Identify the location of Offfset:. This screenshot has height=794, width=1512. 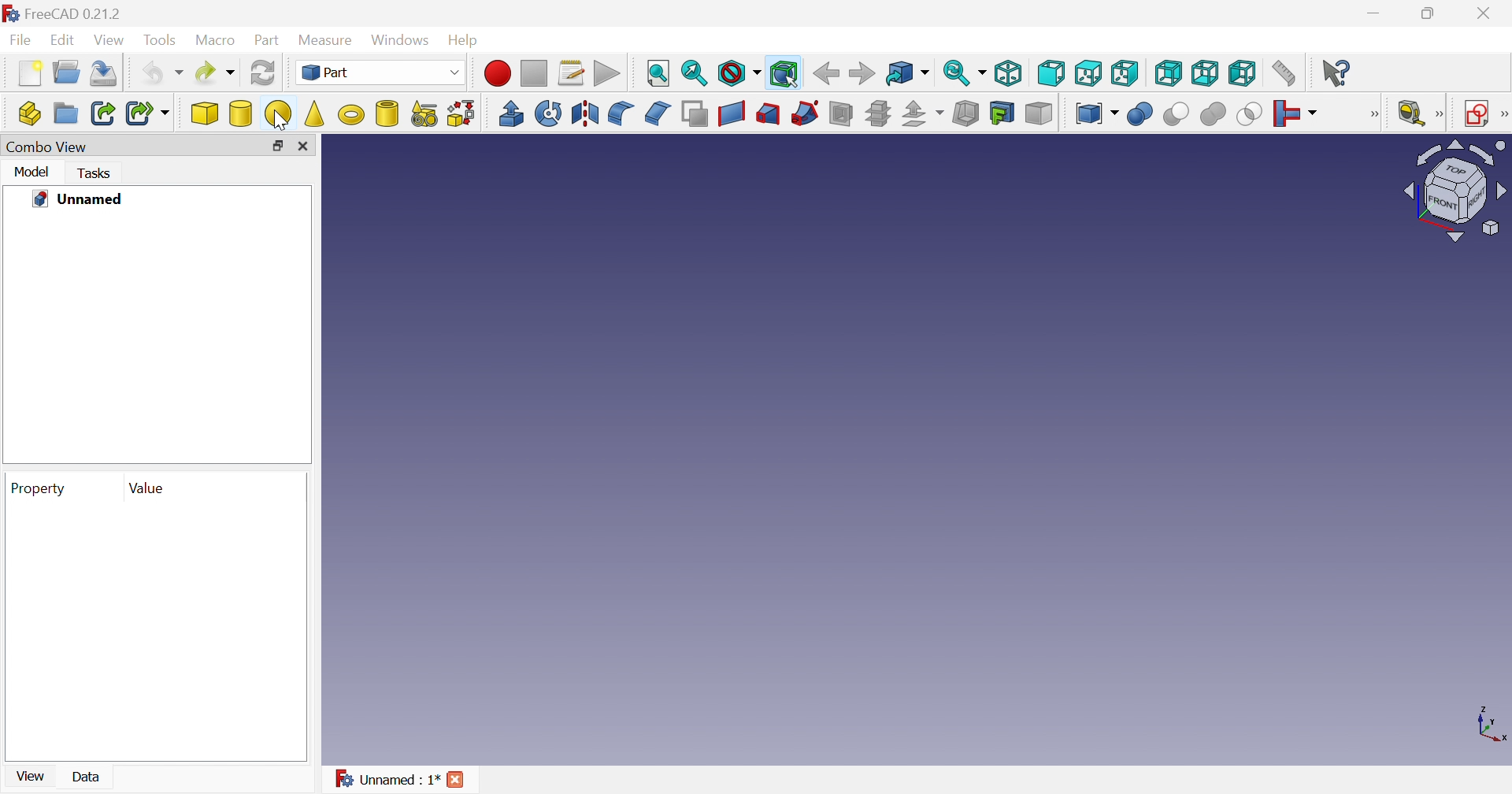
(923, 113).